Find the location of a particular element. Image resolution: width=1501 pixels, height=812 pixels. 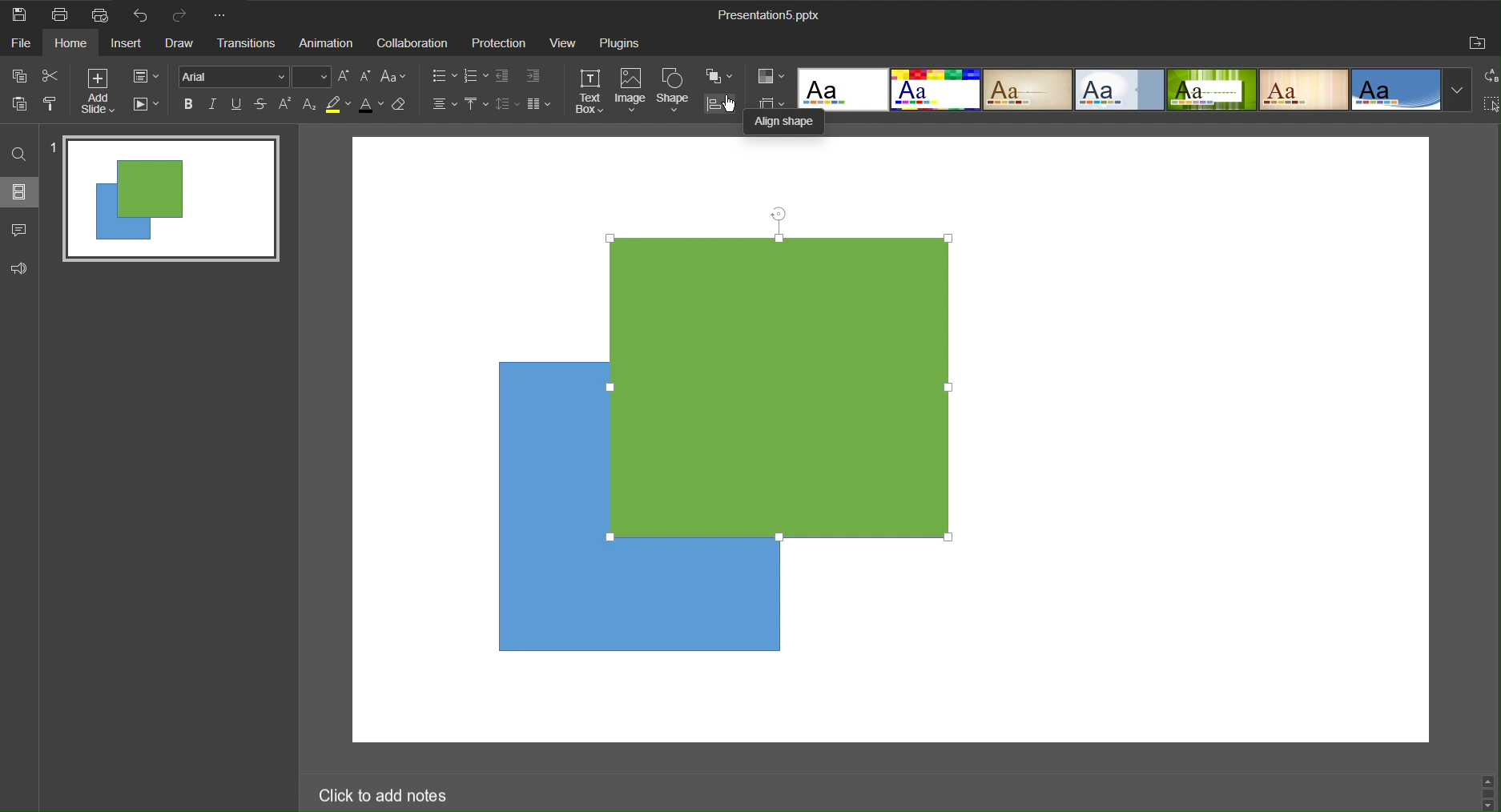

Text Box is located at coordinates (586, 90).